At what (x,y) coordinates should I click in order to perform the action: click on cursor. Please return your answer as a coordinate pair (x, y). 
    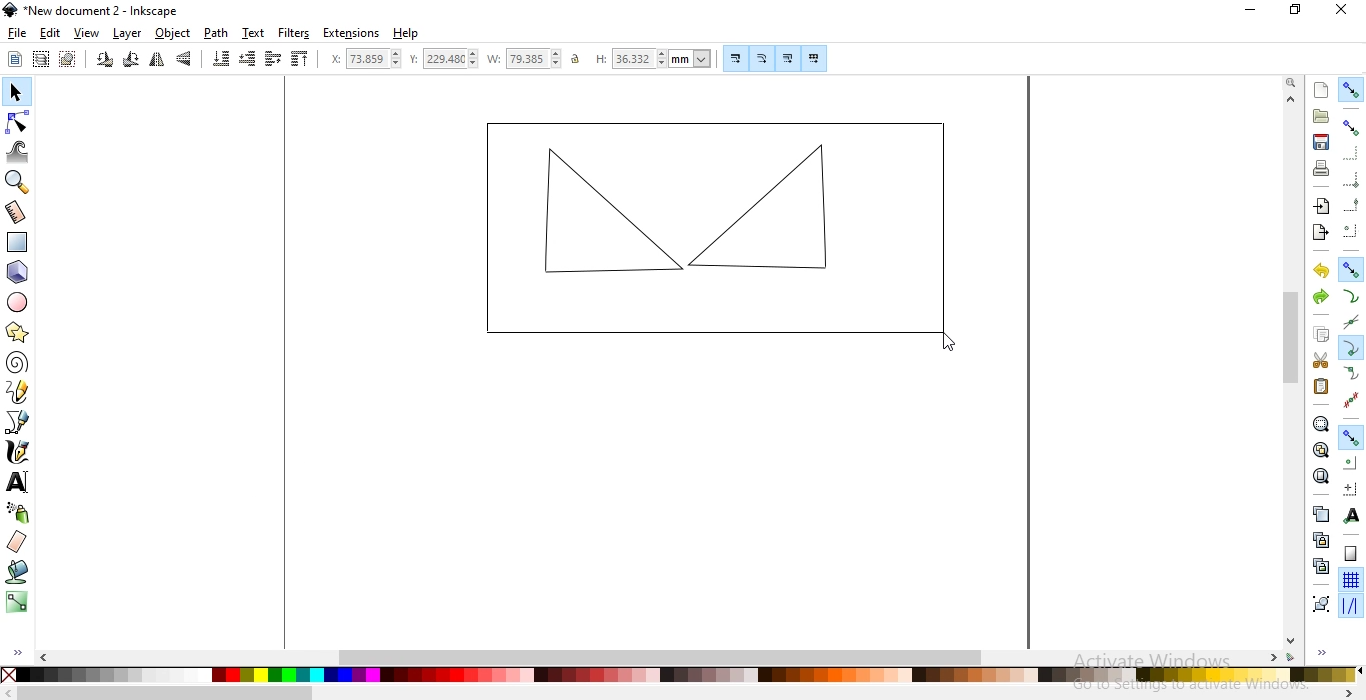
    Looking at the image, I should click on (948, 342).